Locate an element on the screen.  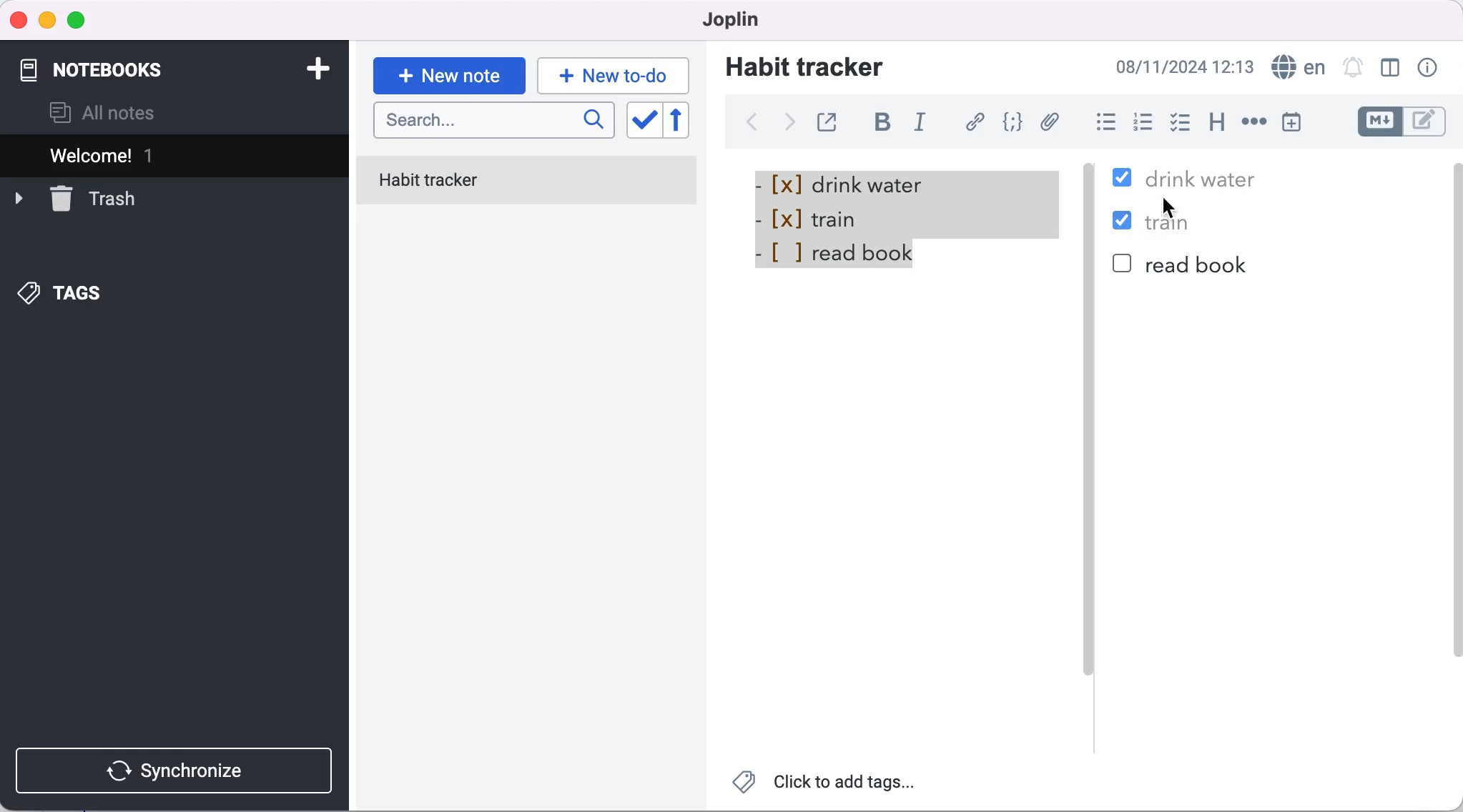
drink water is located at coordinates (1201, 177).